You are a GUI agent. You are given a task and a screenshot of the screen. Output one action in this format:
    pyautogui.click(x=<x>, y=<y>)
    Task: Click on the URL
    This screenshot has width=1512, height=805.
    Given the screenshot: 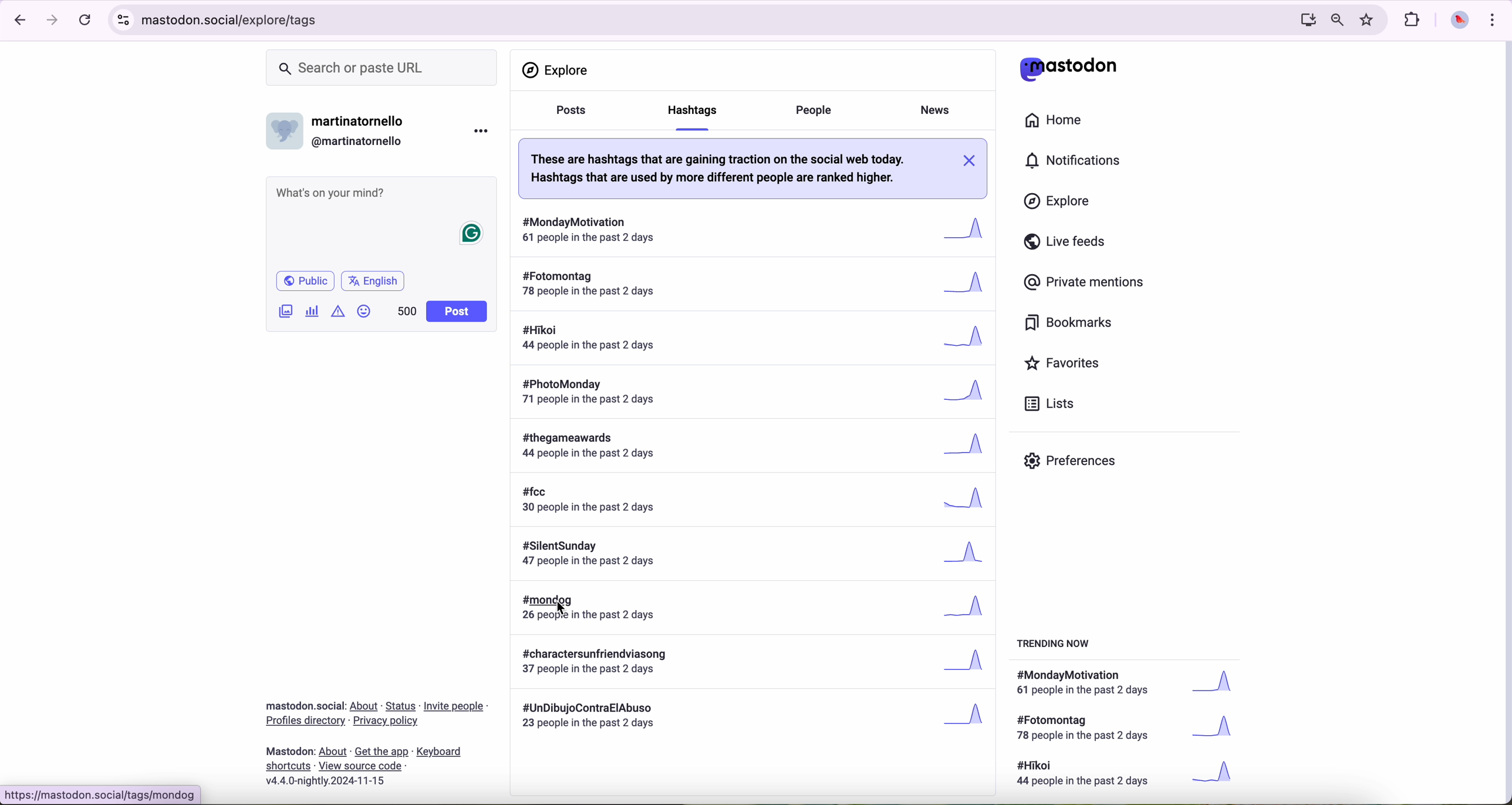 What is the action you would take?
    pyautogui.click(x=99, y=794)
    